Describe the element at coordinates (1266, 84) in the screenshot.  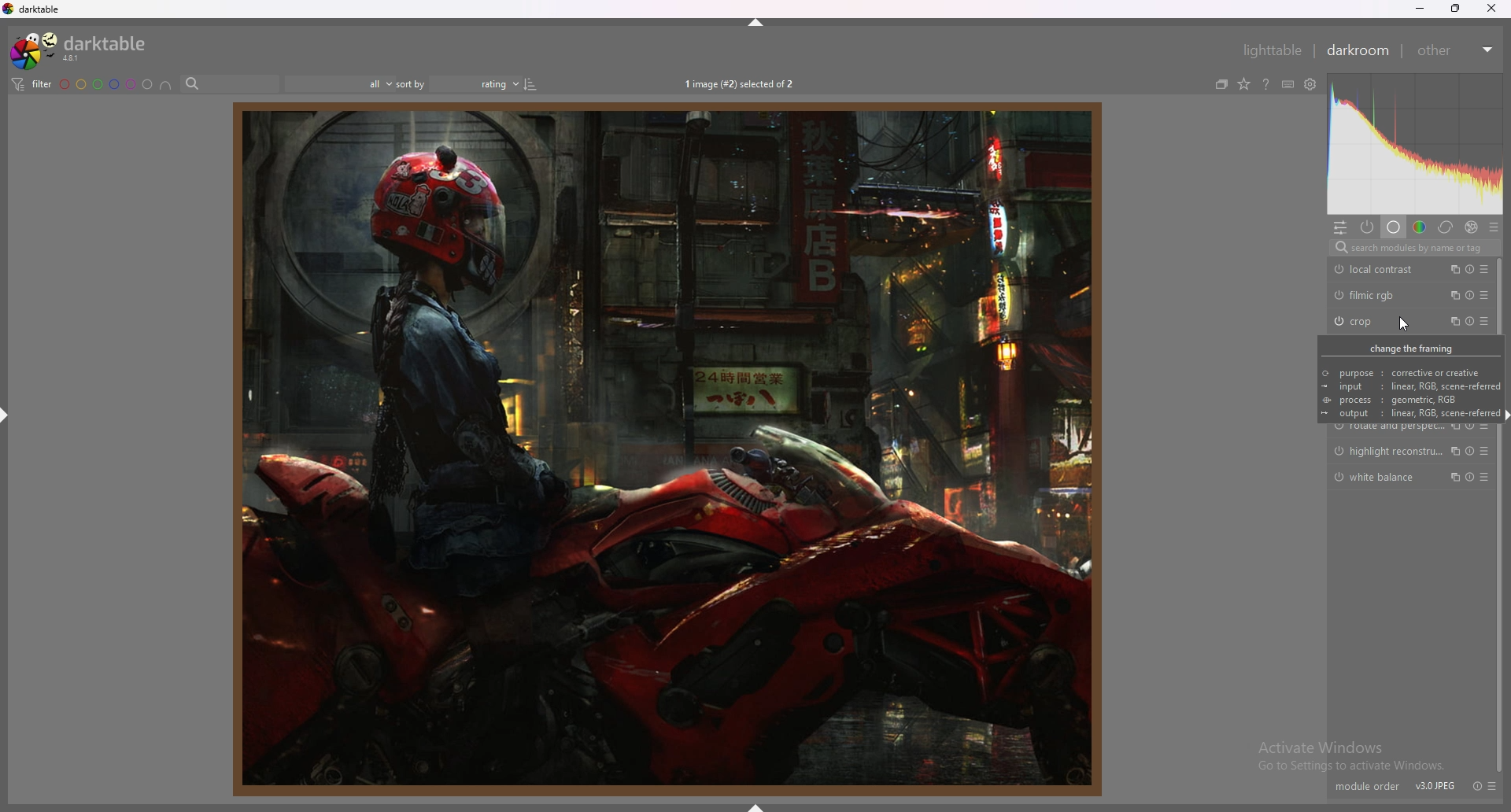
I see `online help` at that location.